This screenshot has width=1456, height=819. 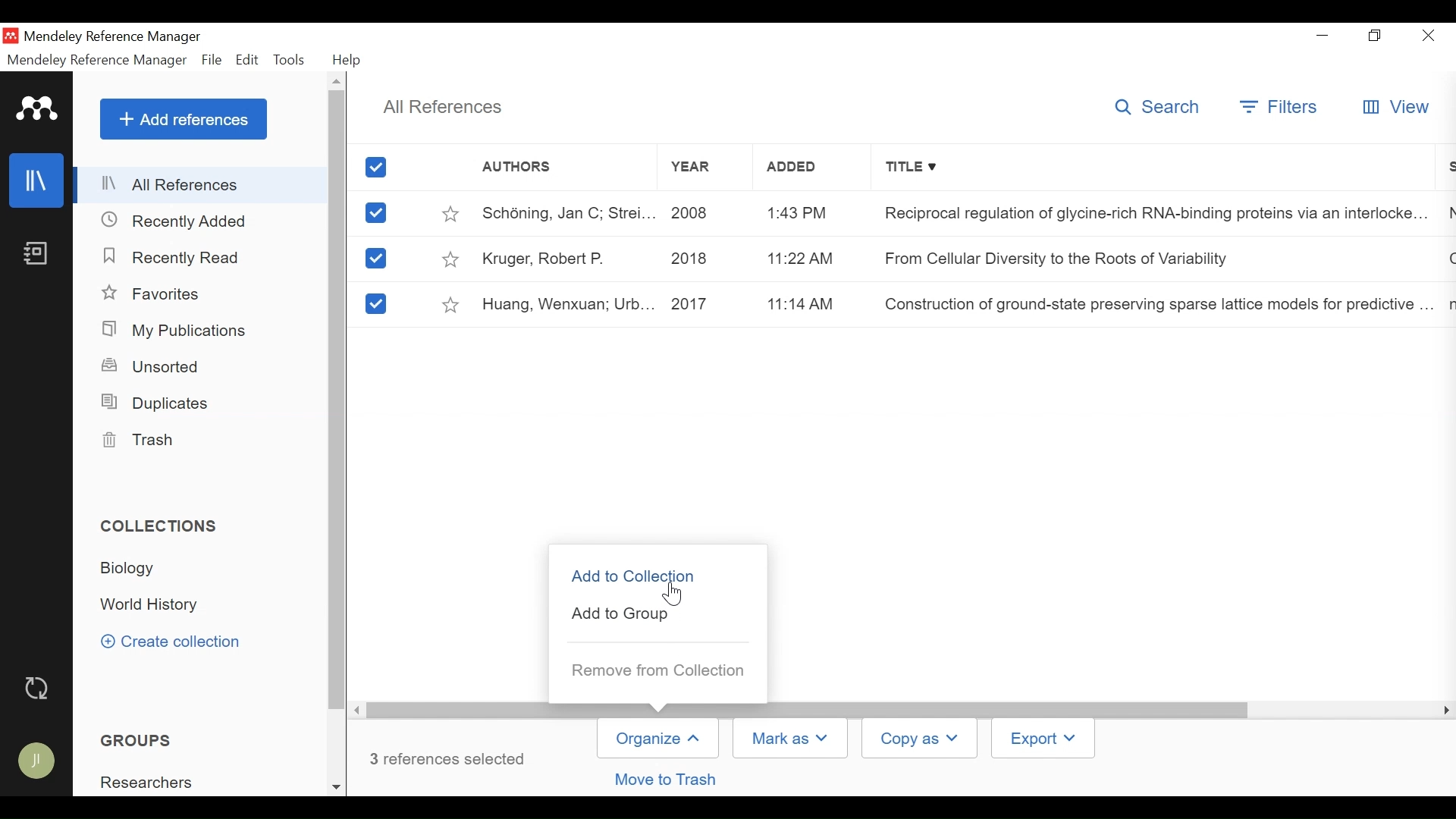 I want to click on Organize, so click(x=657, y=739).